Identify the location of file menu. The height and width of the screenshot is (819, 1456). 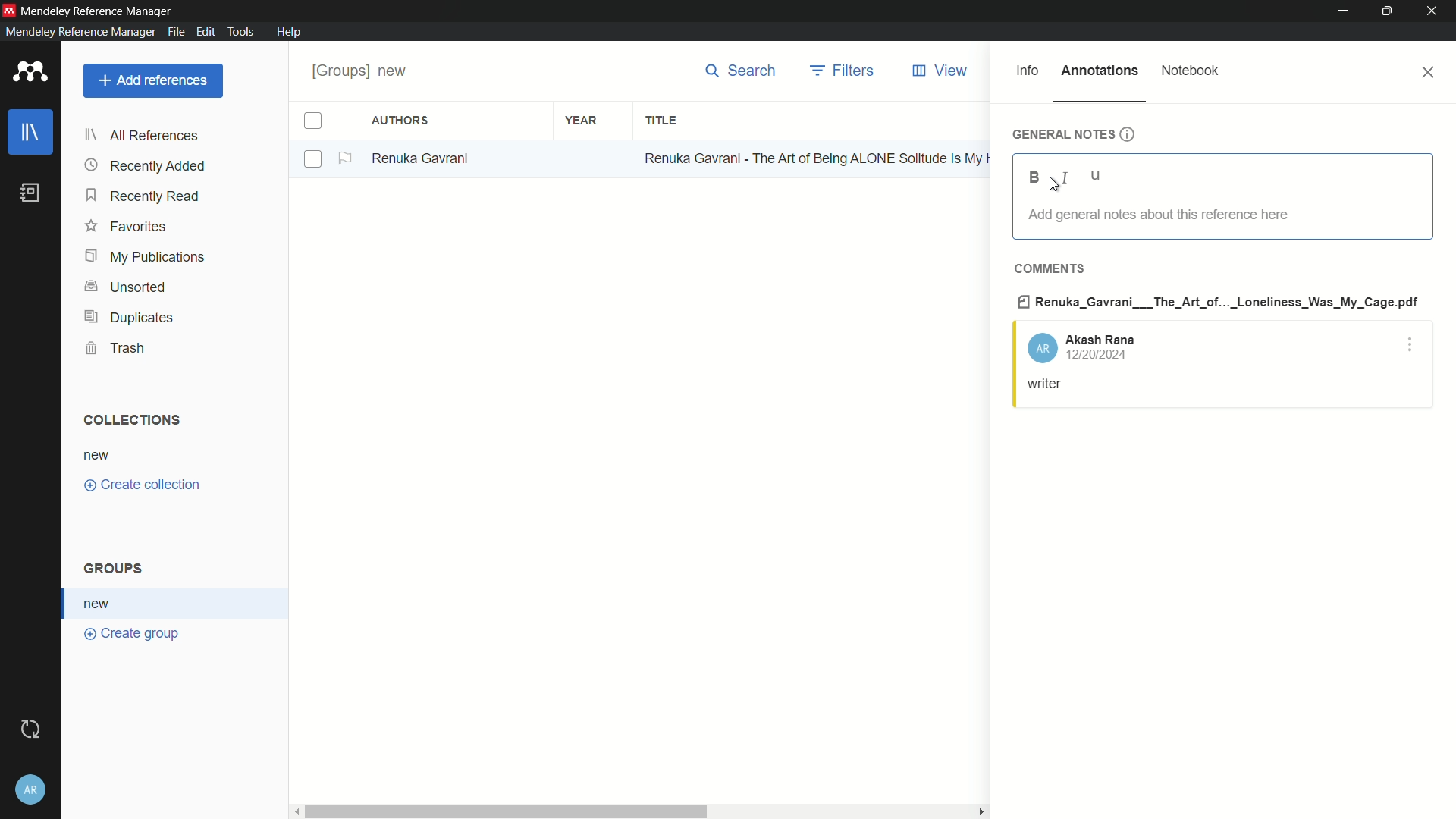
(176, 32).